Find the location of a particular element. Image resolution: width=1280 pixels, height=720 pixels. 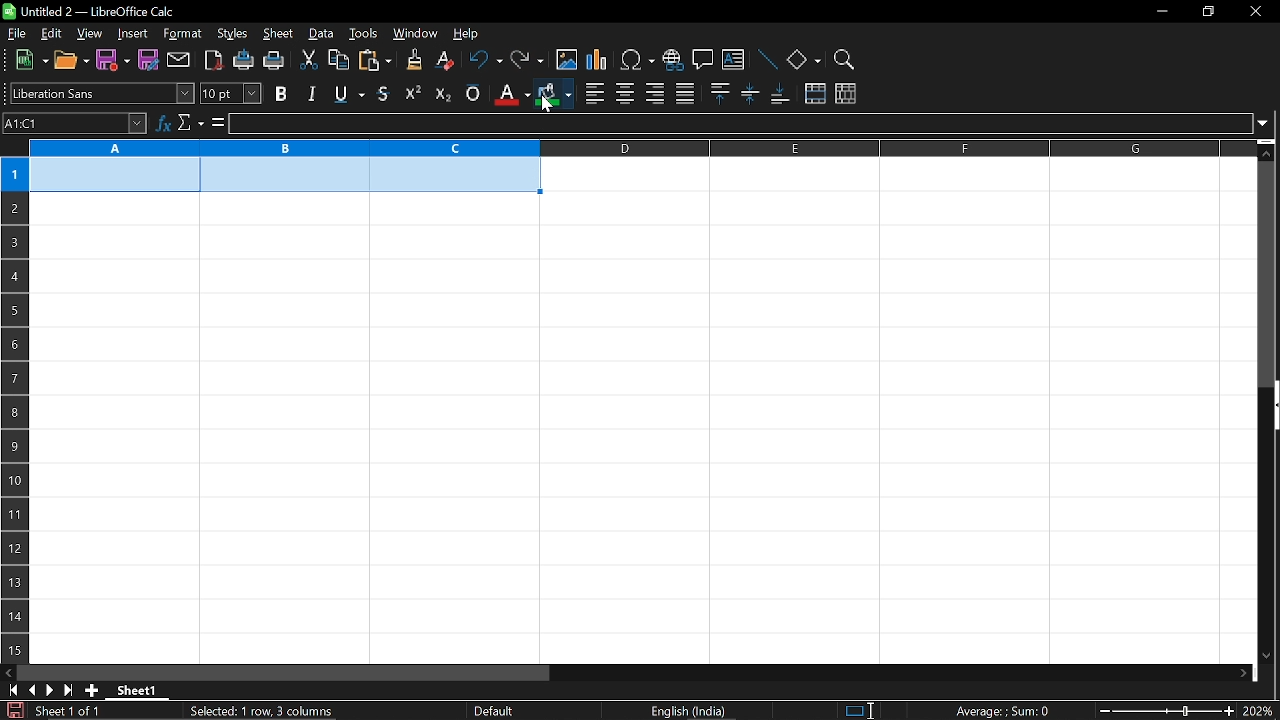

add sheet is located at coordinates (92, 691).